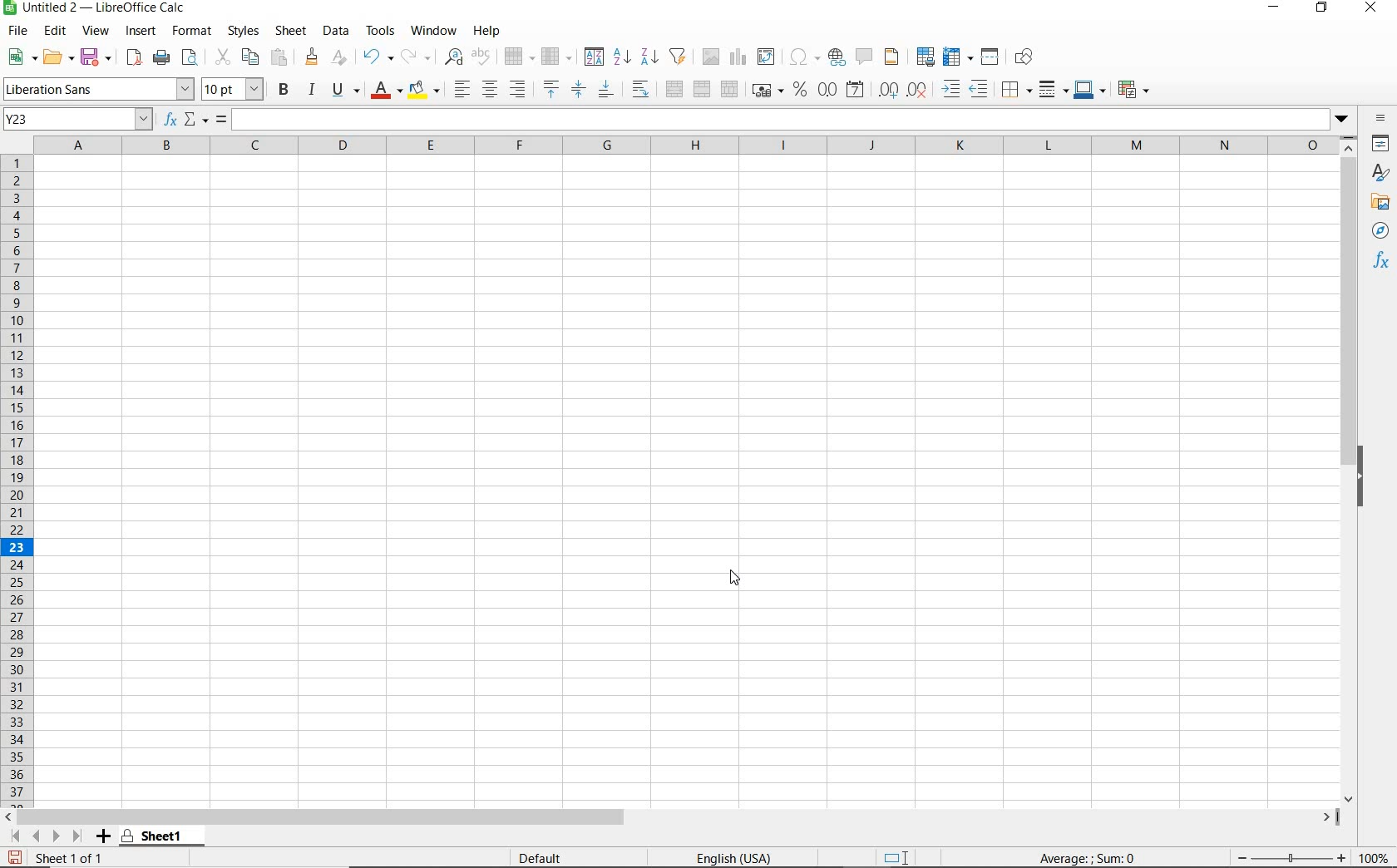 Image resolution: width=1397 pixels, height=868 pixels. What do you see at coordinates (1349, 470) in the screenshot?
I see `SCROLLBAR` at bounding box center [1349, 470].